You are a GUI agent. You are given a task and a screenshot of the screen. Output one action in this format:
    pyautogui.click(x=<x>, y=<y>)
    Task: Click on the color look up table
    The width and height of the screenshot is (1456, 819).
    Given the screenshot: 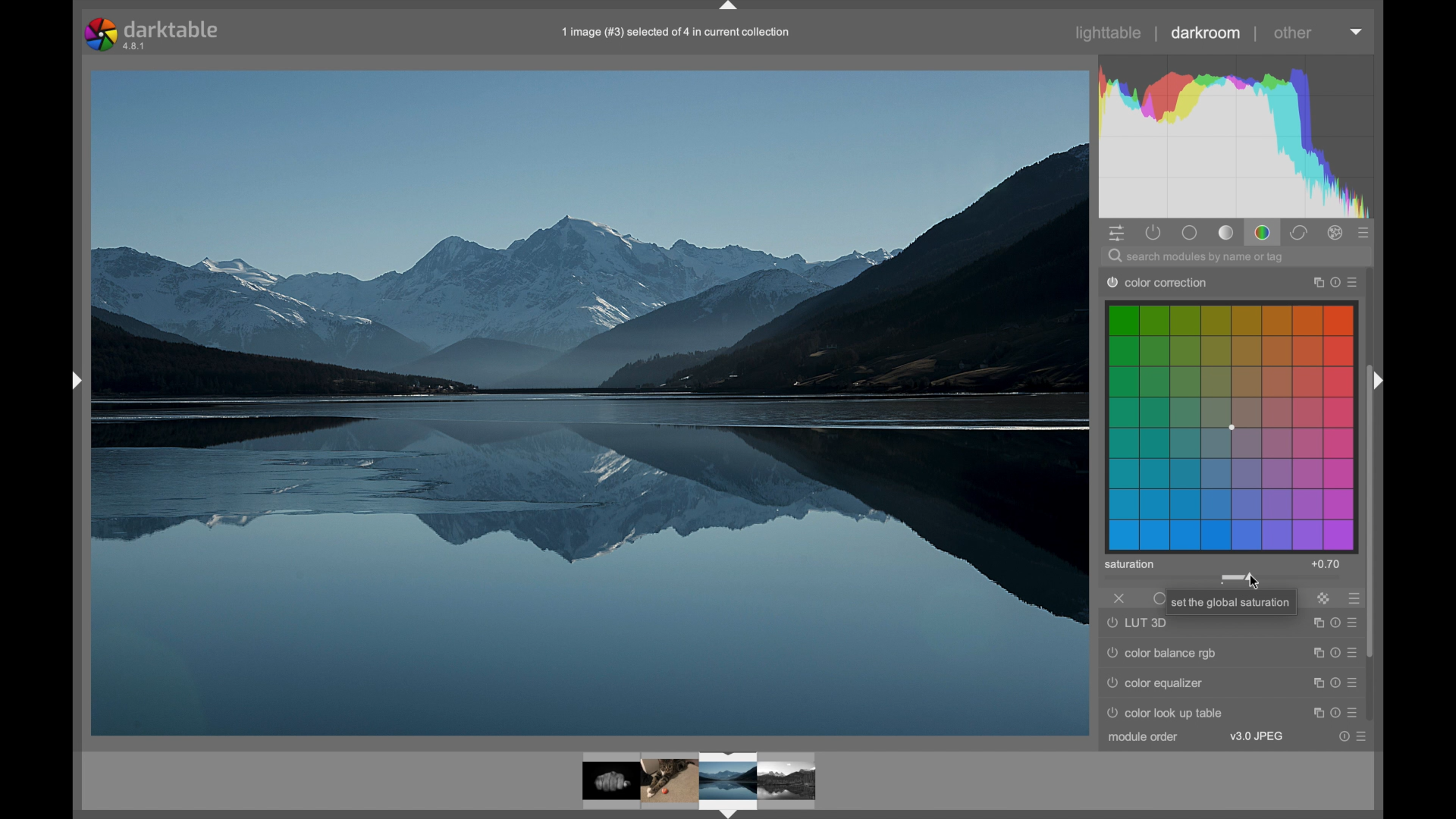 What is the action you would take?
    pyautogui.click(x=1169, y=713)
    